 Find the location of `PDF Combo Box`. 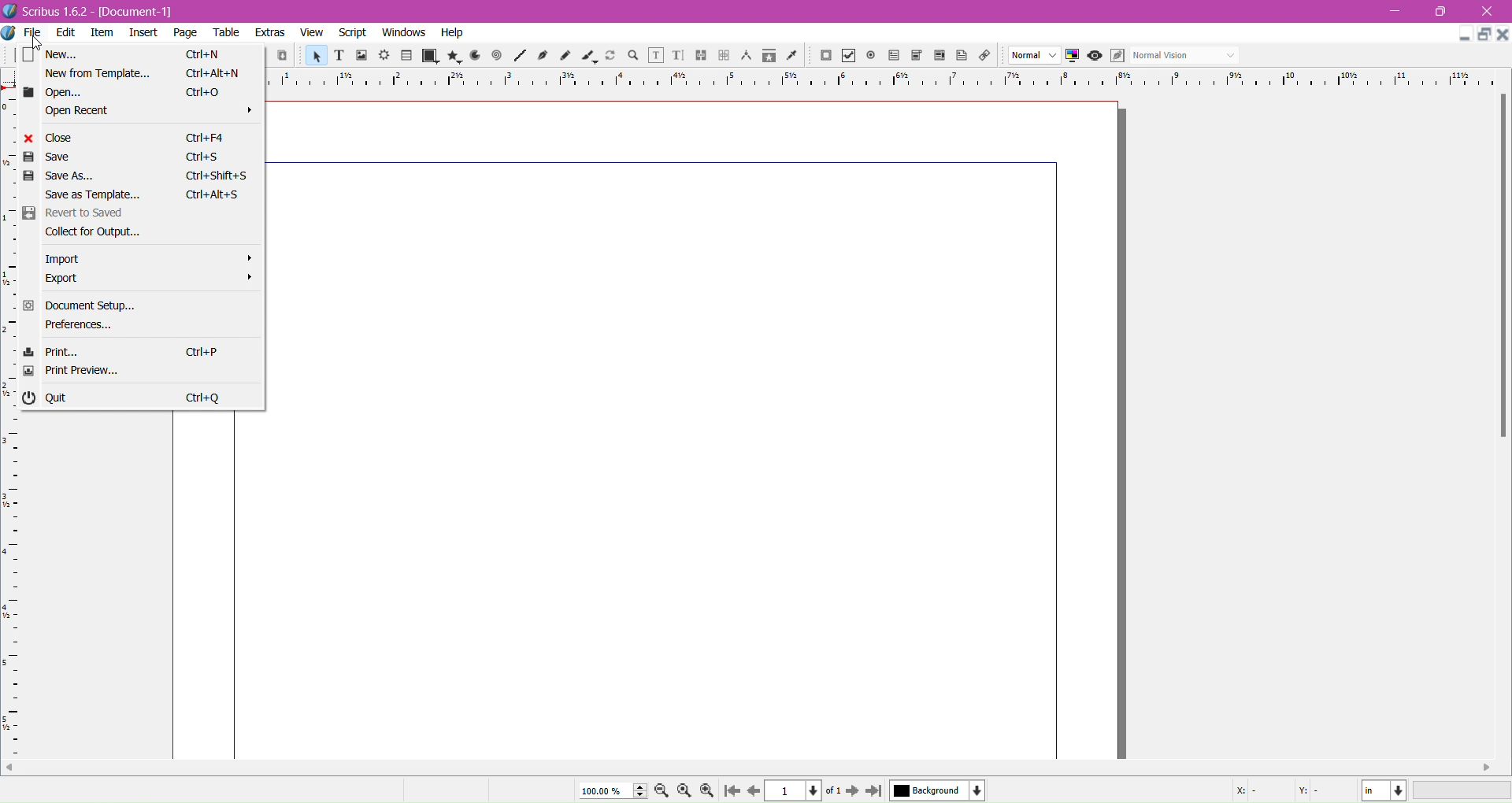

PDF Combo Box is located at coordinates (916, 56).